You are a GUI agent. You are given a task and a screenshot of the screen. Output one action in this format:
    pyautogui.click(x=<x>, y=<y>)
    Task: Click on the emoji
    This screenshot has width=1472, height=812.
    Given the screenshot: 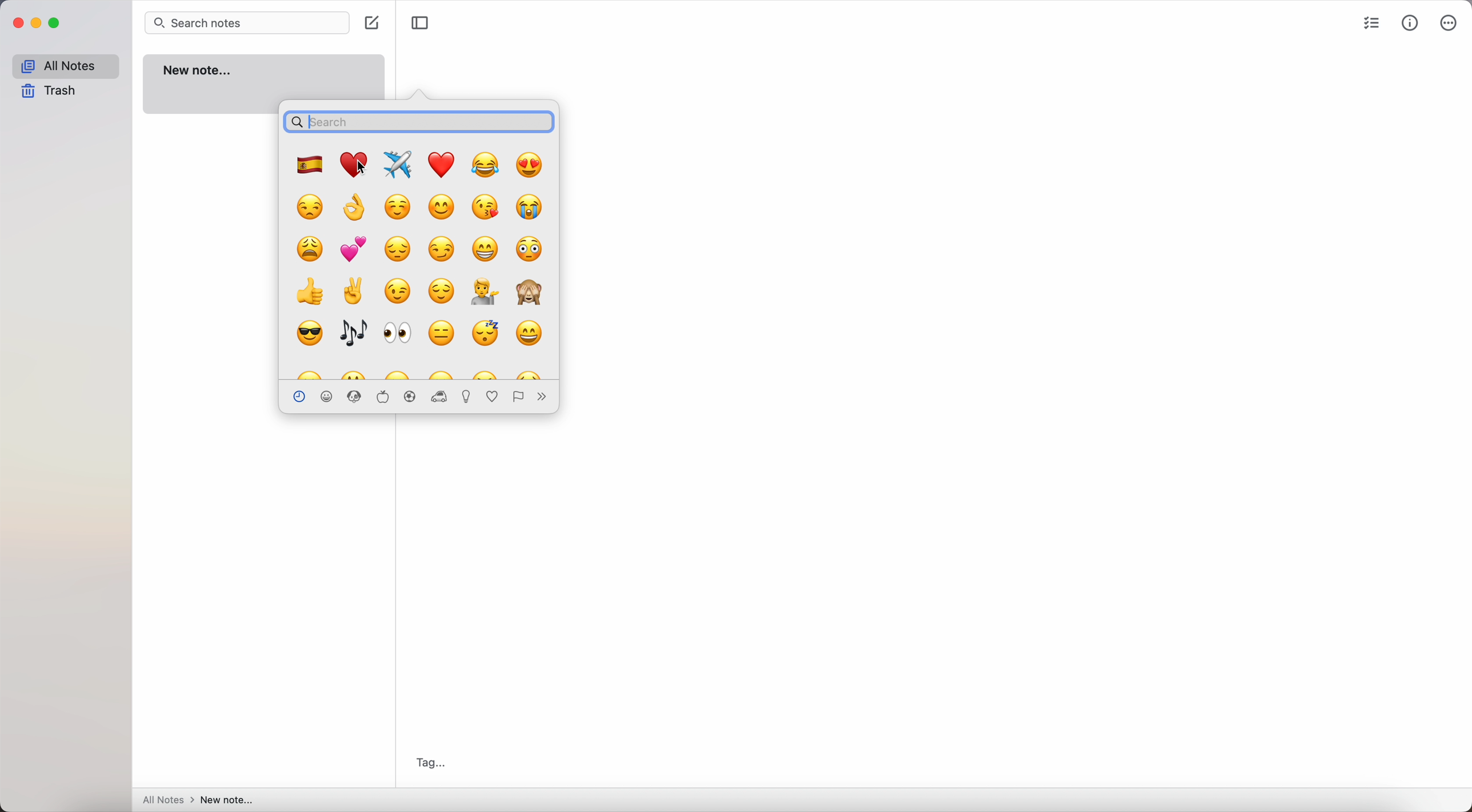 What is the action you would take?
    pyautogui.click(x=311, y=207)
    